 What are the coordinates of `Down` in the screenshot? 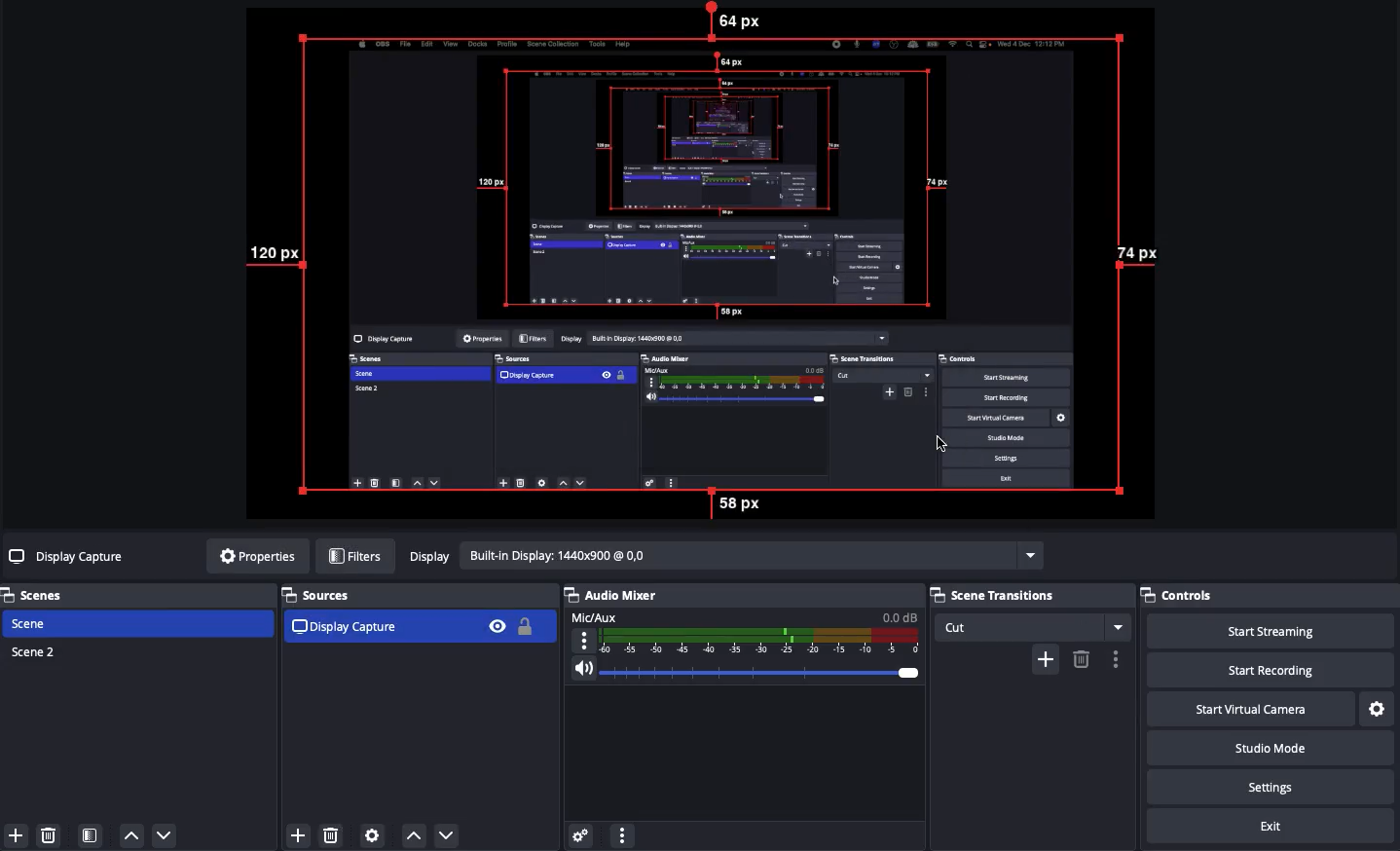 It's located at (448, 832).